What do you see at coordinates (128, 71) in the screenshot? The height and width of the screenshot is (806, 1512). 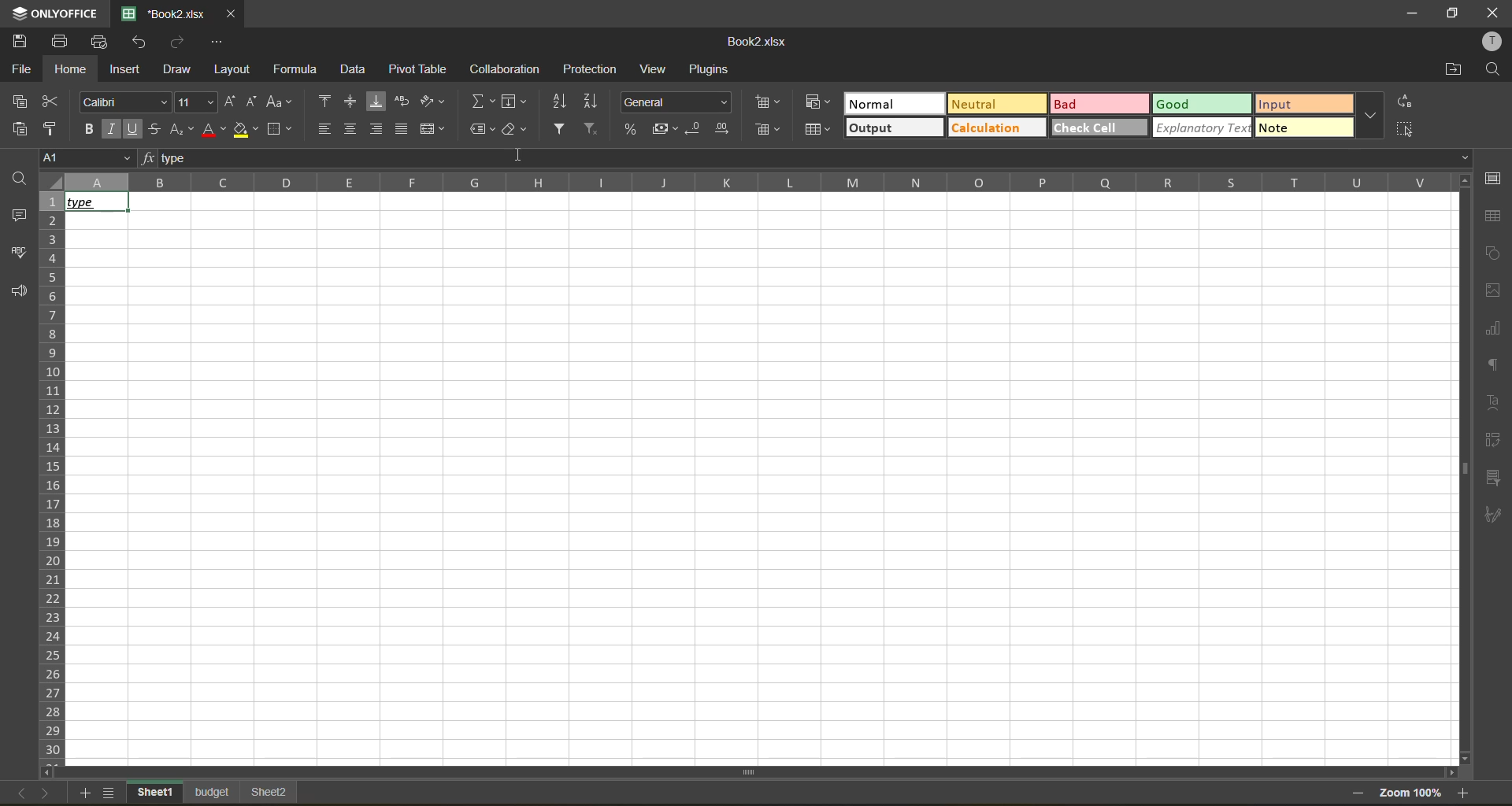 I see `insert` at bounding box center [128, 71].